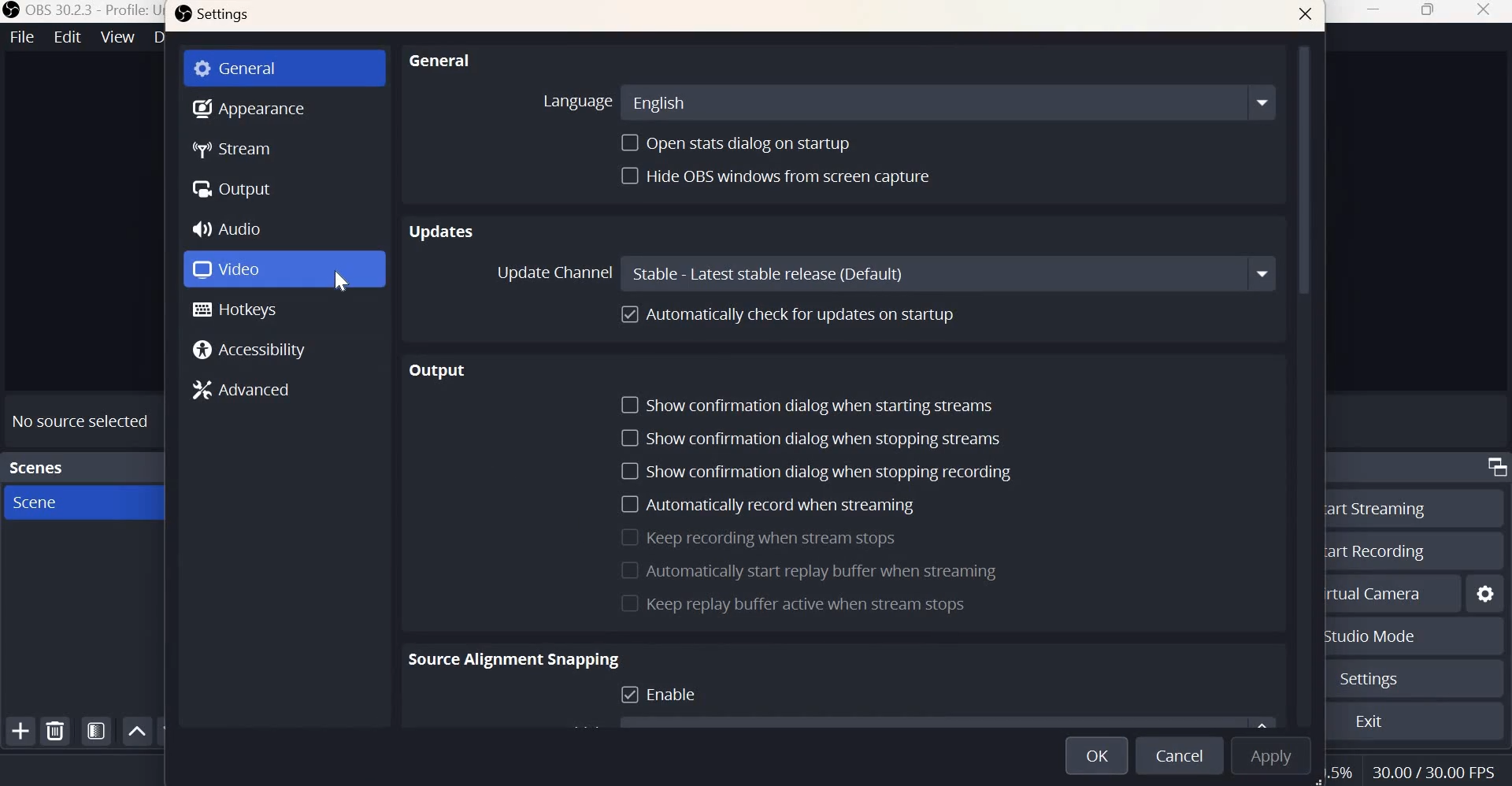  I want to click on Exit, so click(1369, 723).